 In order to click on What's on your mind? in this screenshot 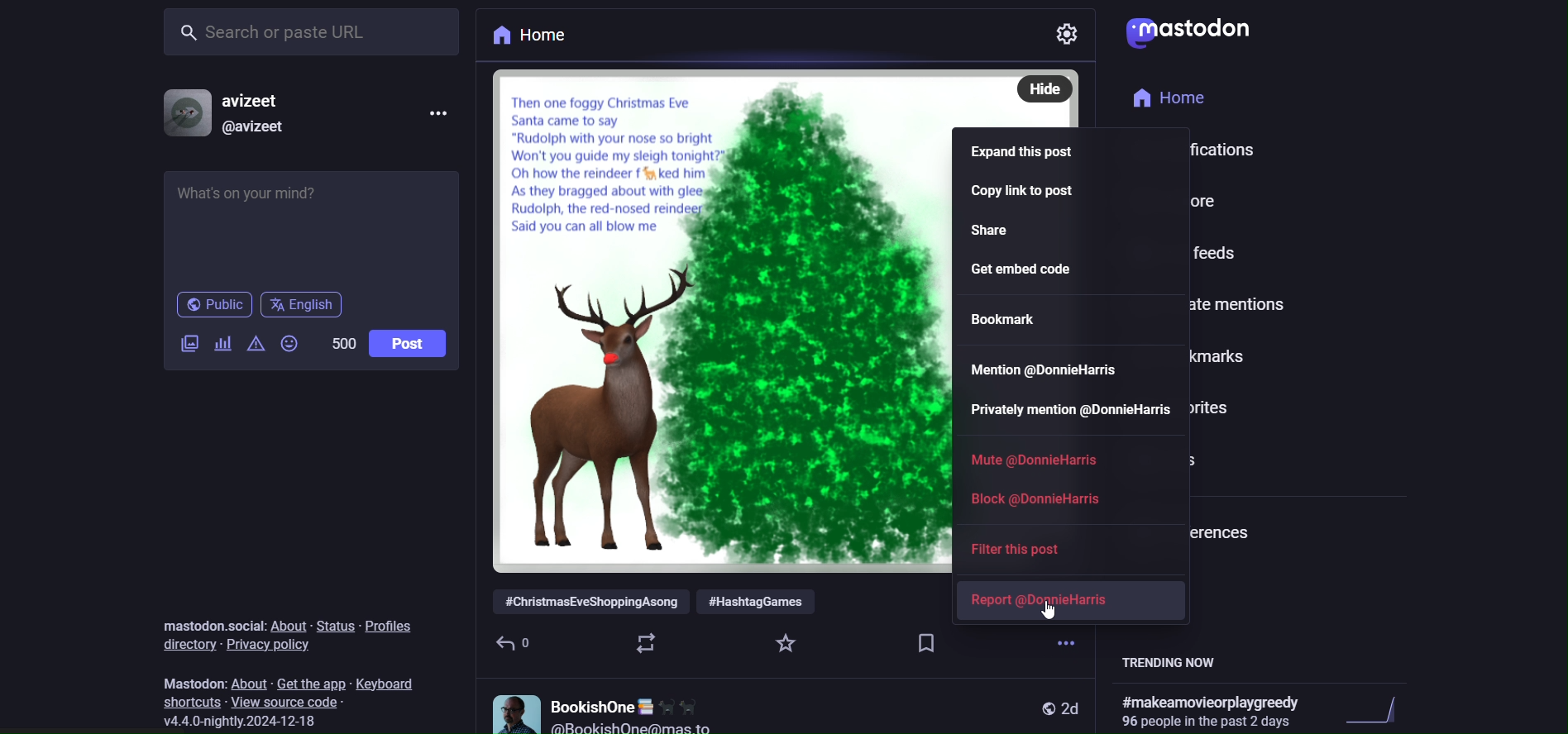, I will do `click(313, 222)`.